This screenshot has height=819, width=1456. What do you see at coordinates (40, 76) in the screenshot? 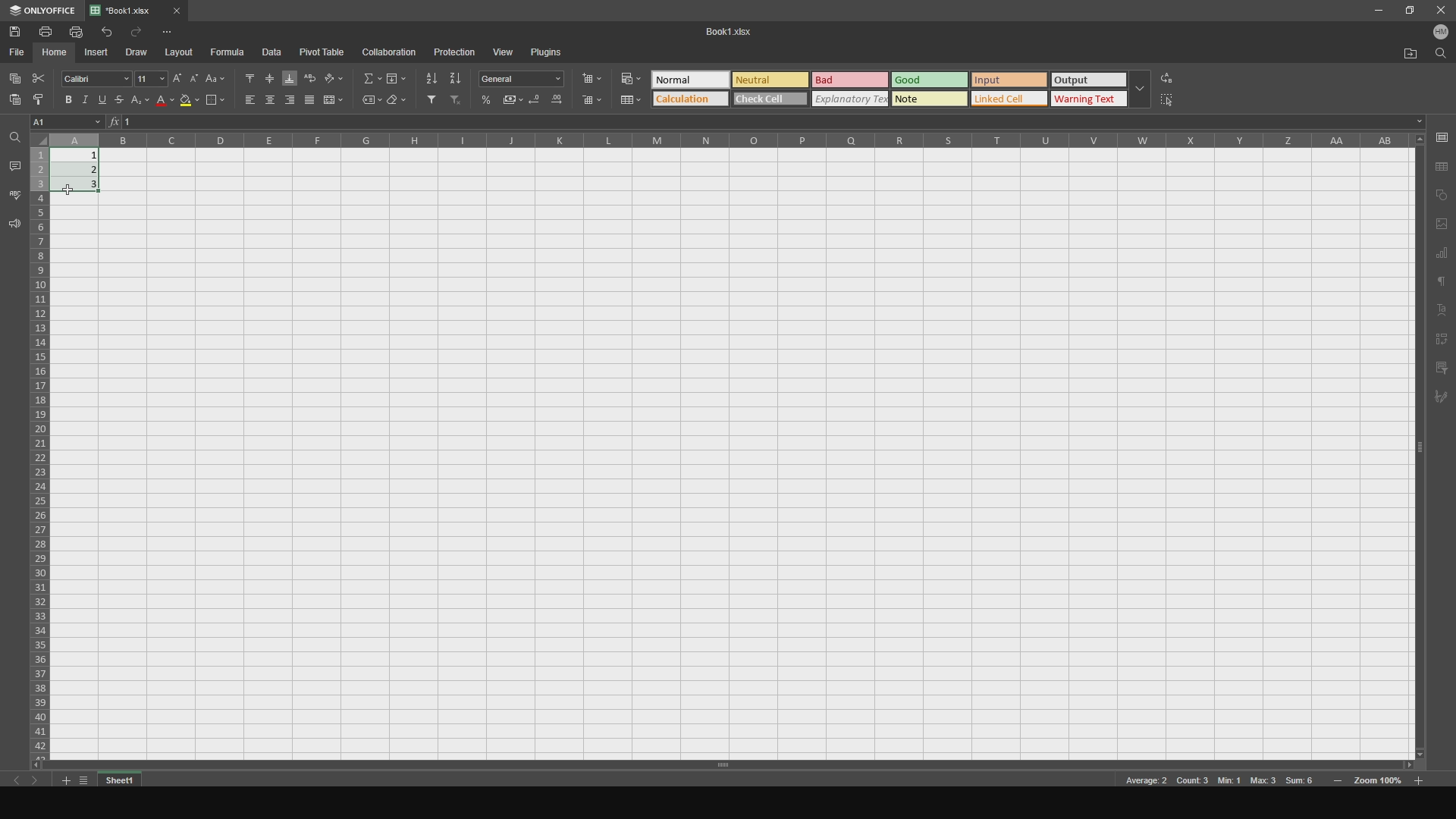
I see `cut` at bounding box center [40, 76].